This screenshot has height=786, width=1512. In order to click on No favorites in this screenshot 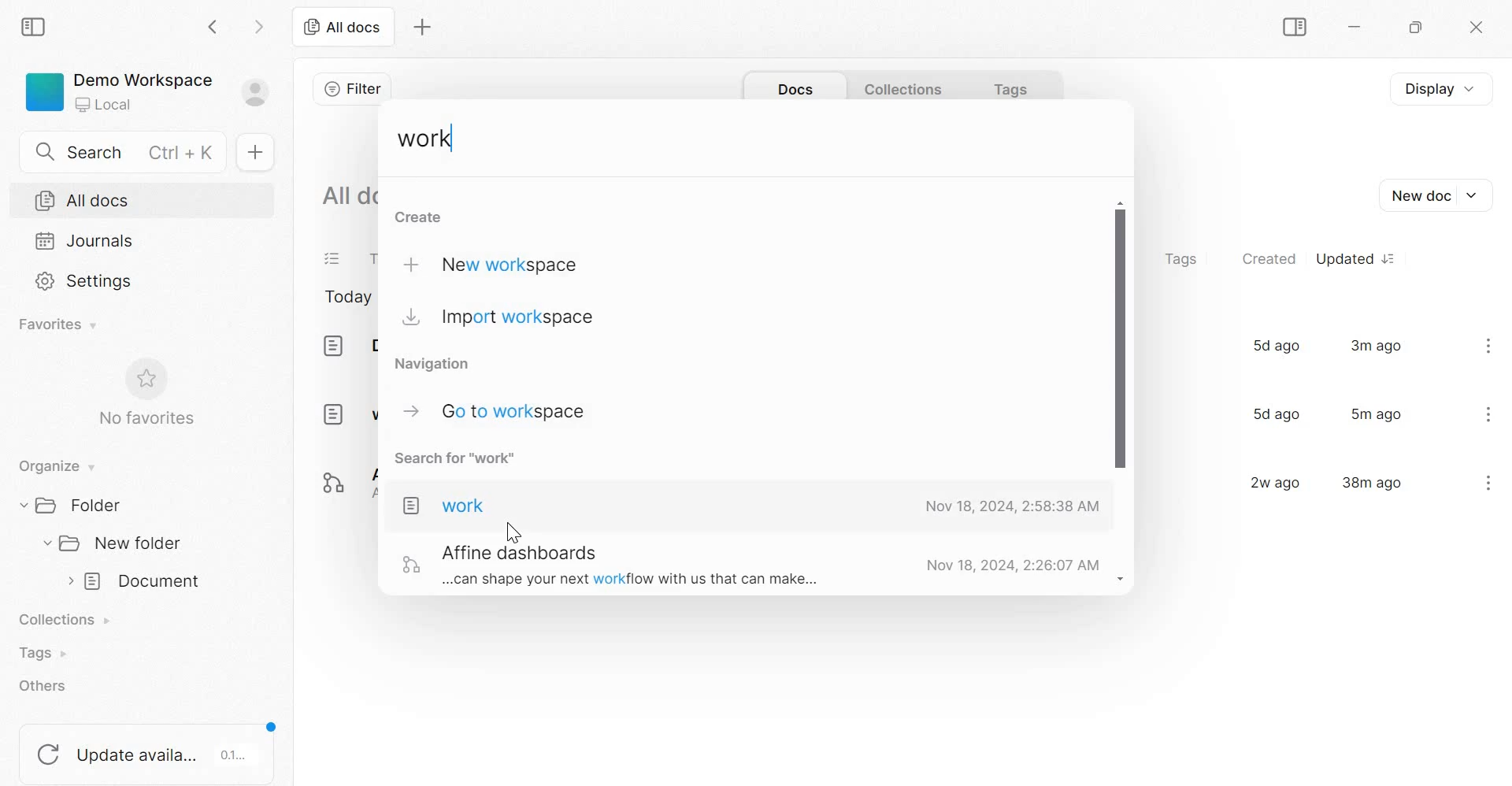, I will do `click(144, 392)`.